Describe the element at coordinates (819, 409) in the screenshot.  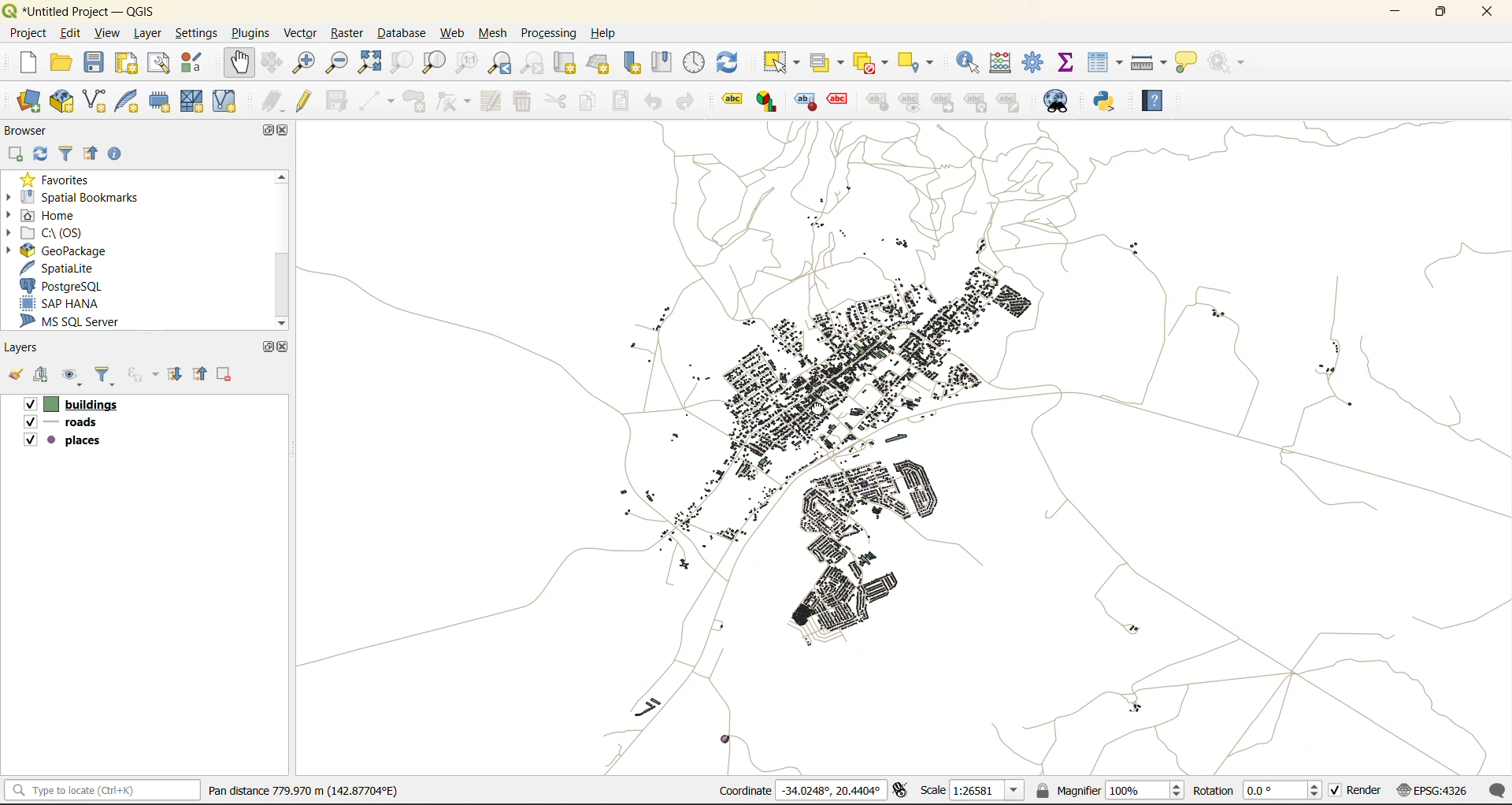
I see `Cursor` at that location.